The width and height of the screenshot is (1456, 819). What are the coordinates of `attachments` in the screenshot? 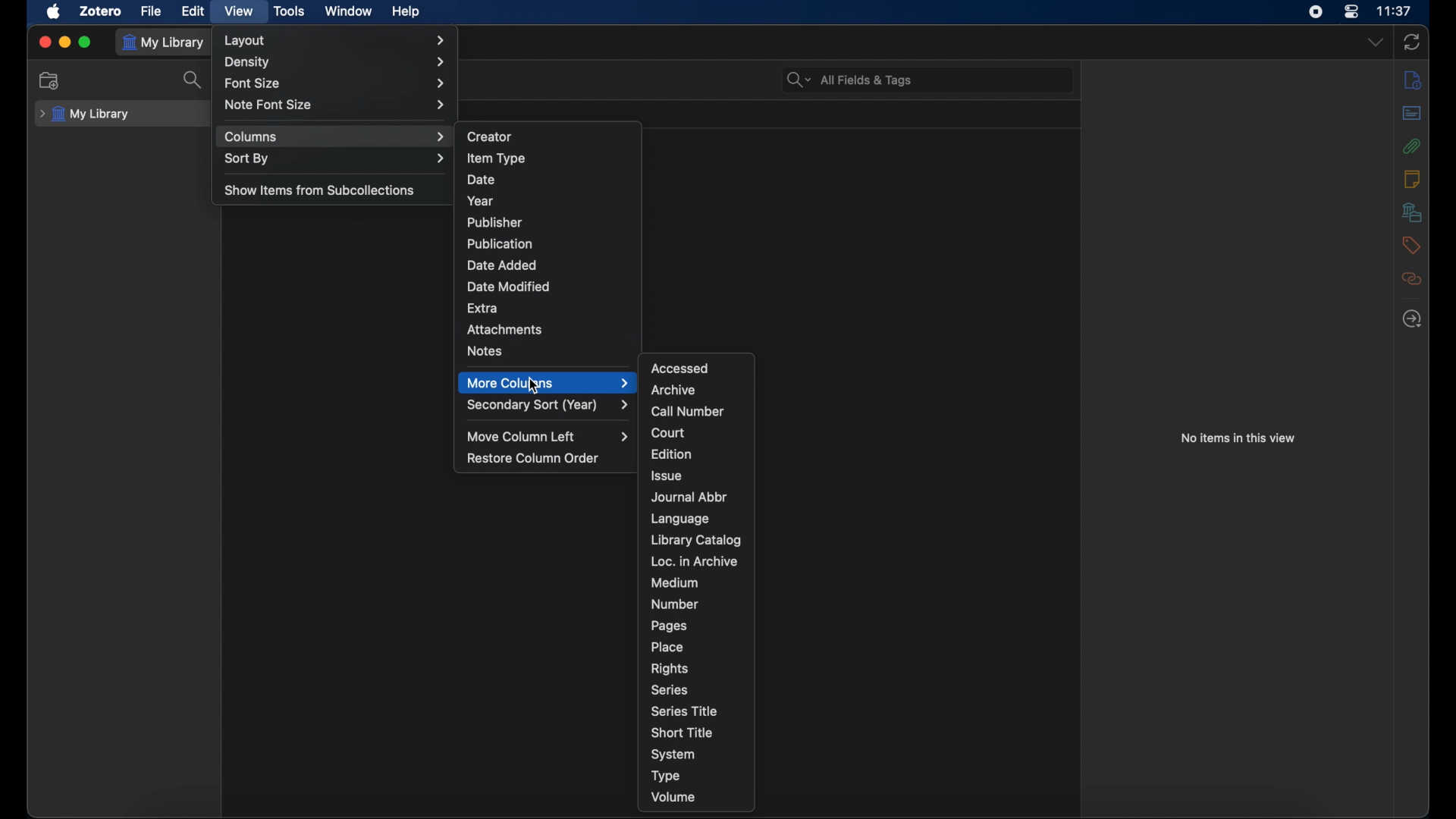 It's located at (1412, 146).